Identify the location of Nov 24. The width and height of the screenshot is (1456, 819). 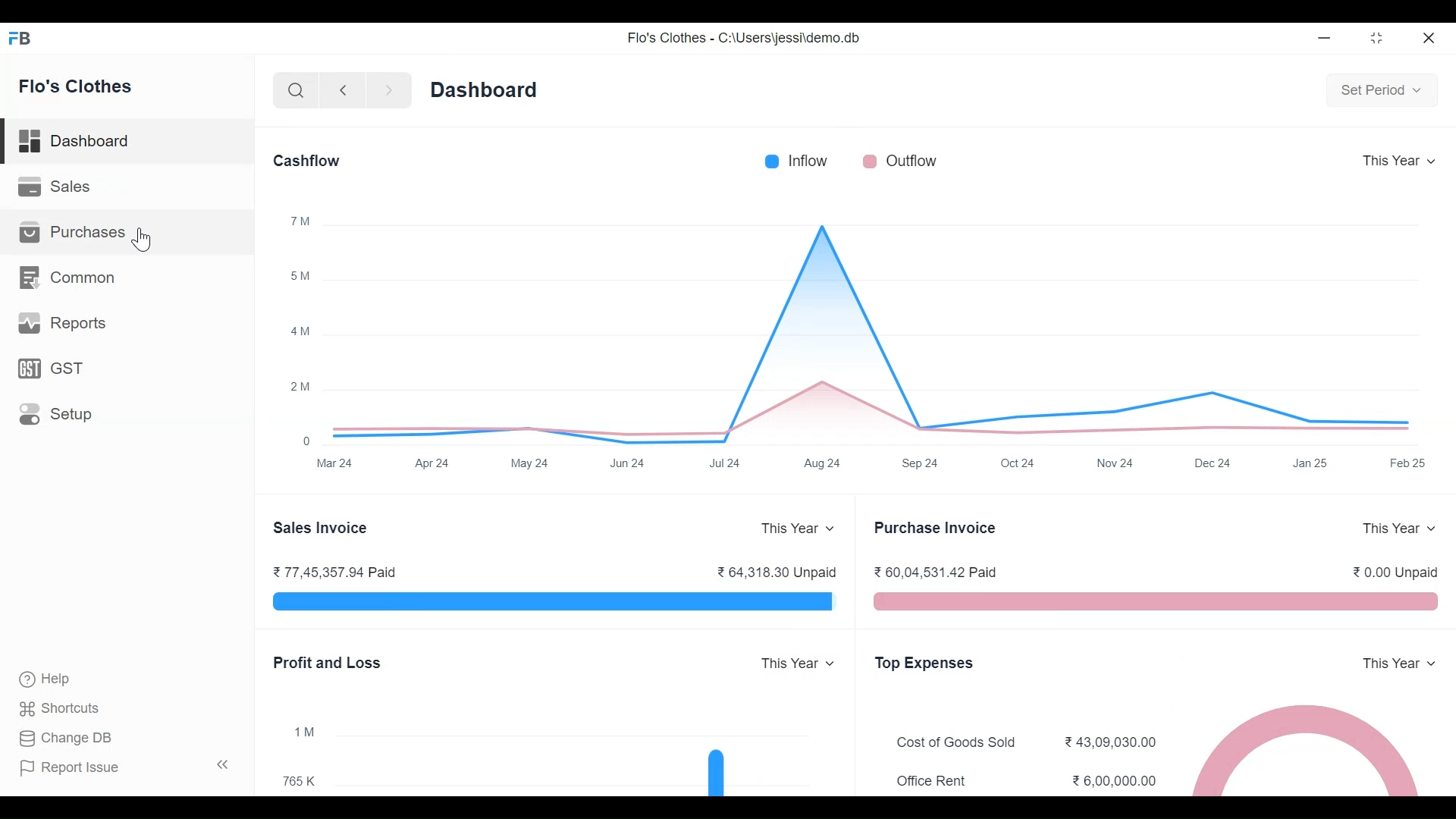
(1118, 465).